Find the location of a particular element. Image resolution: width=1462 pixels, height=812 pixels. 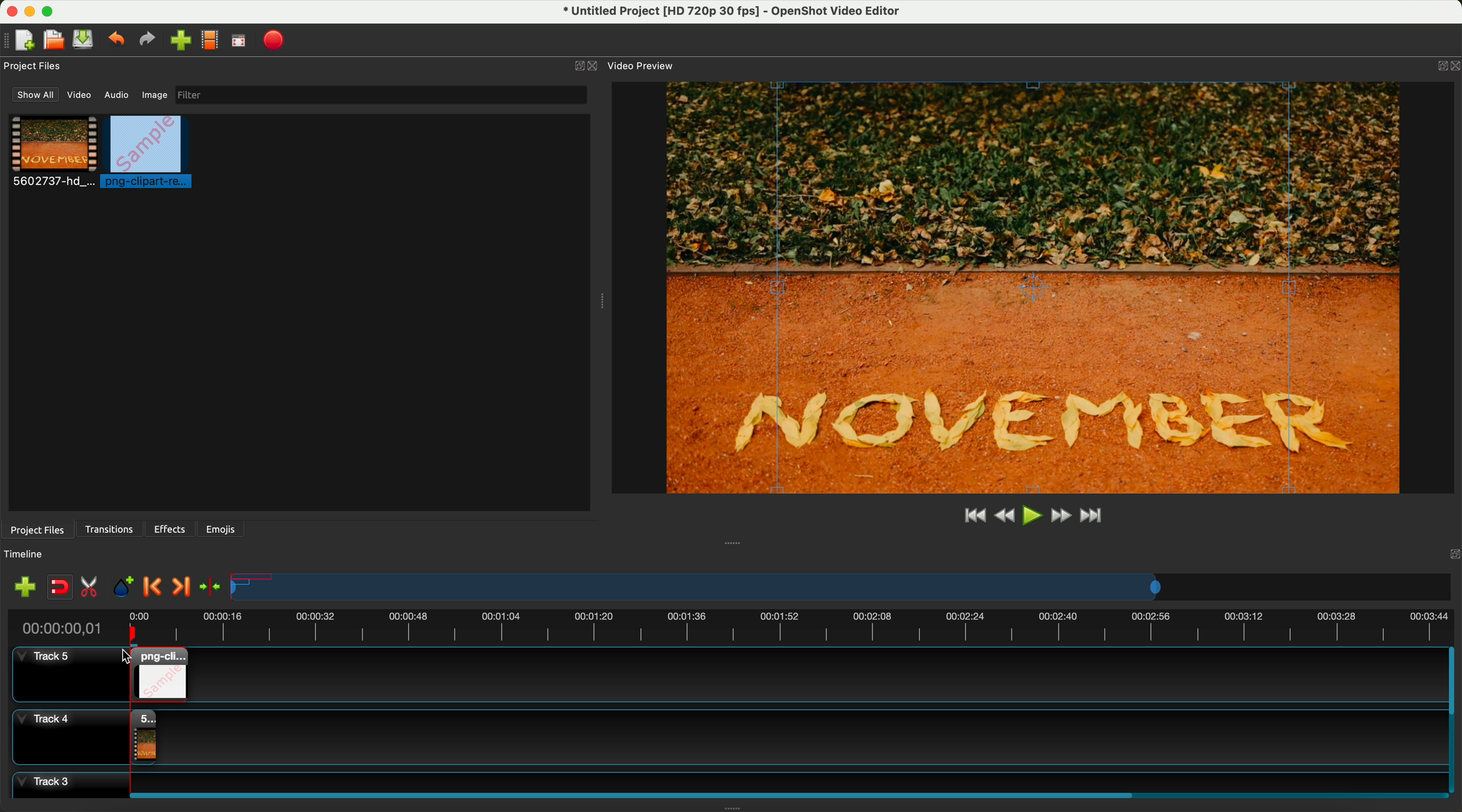

timeline is located at coordinates (842, 588).